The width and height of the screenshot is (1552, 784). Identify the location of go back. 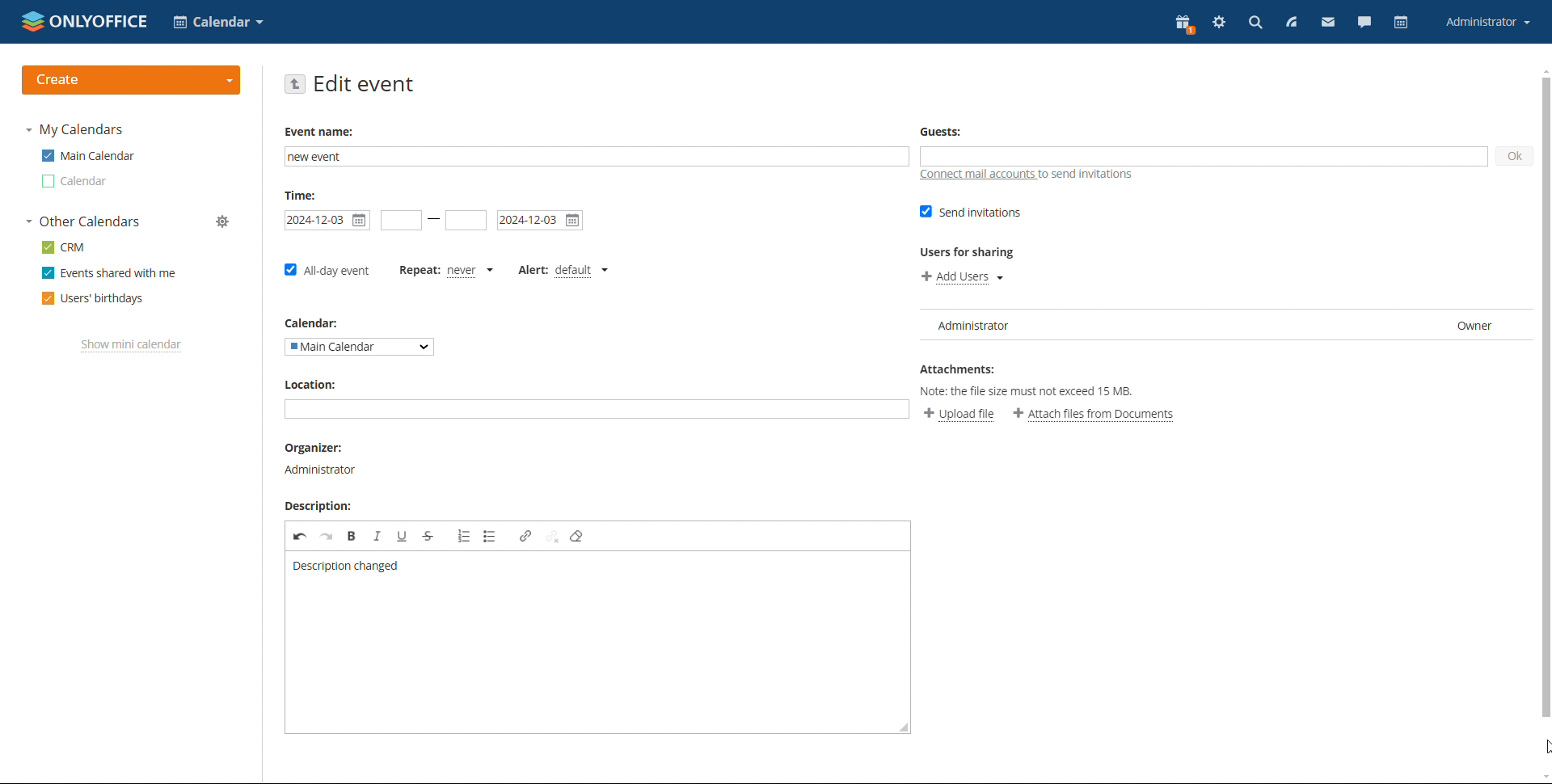
(295, 85).